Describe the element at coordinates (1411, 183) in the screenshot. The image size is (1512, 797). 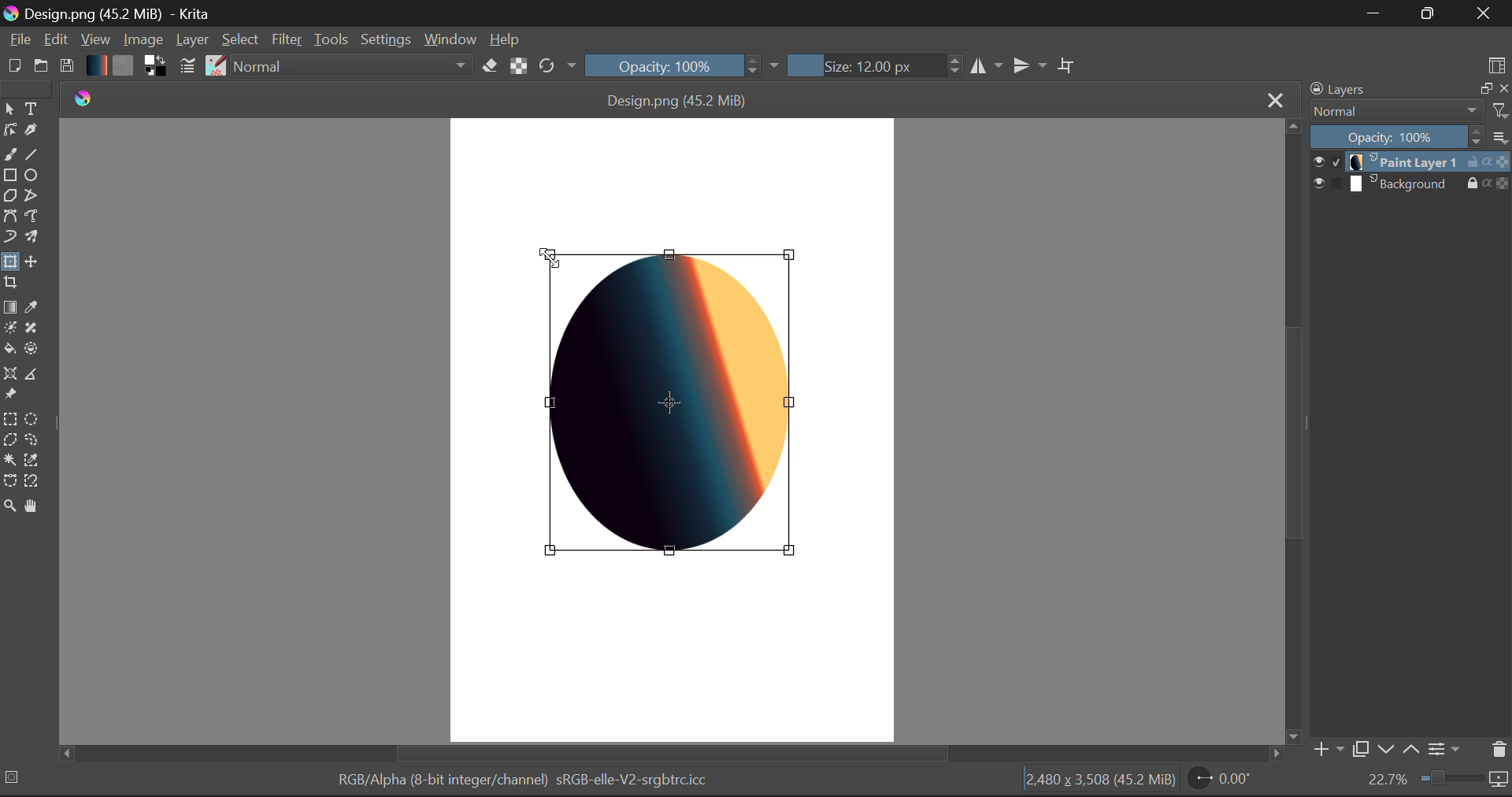
I see `Background Layer` at that location.